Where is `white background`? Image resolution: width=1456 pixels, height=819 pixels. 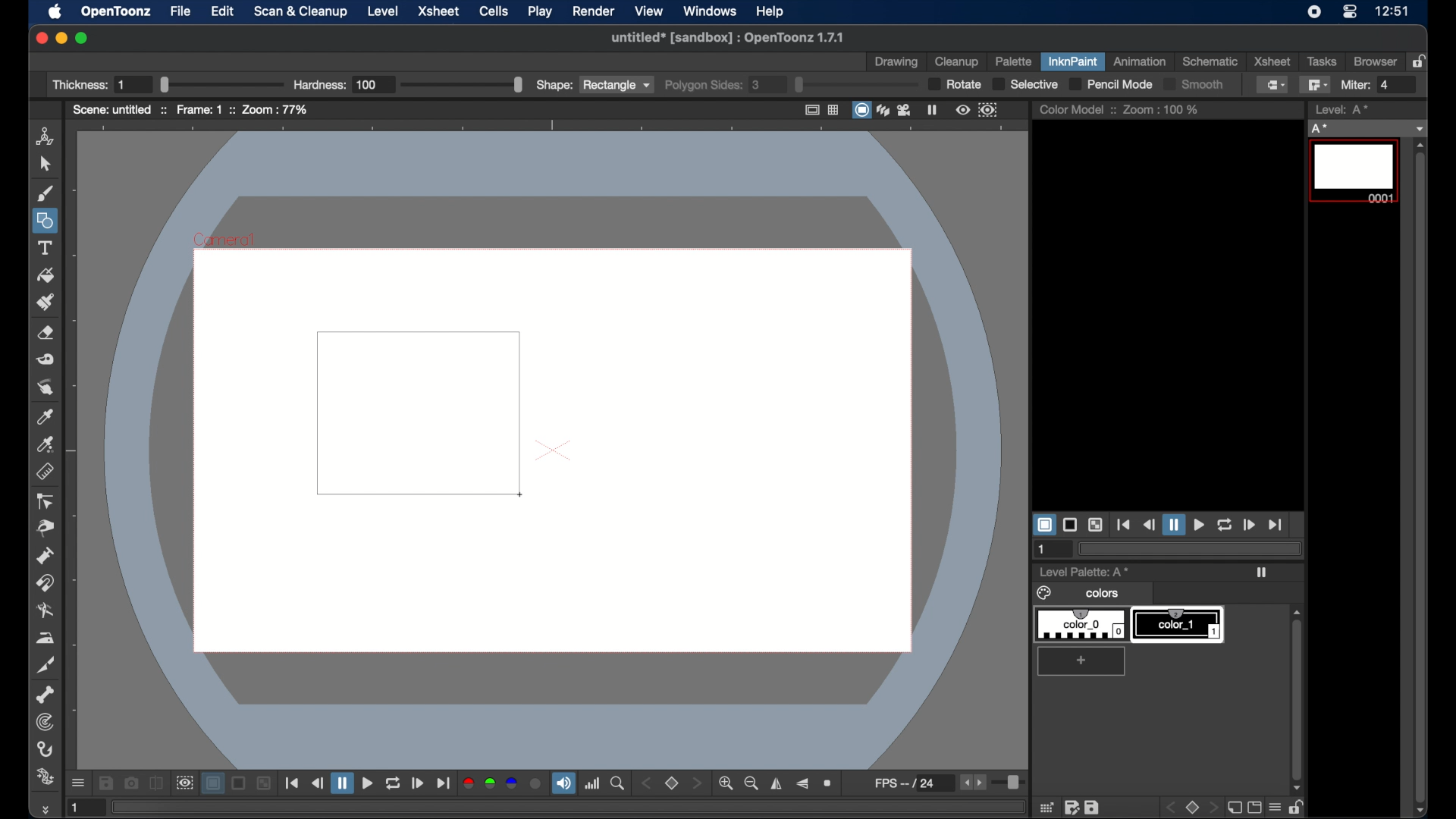 white background is located at coordinates (1043, 525).